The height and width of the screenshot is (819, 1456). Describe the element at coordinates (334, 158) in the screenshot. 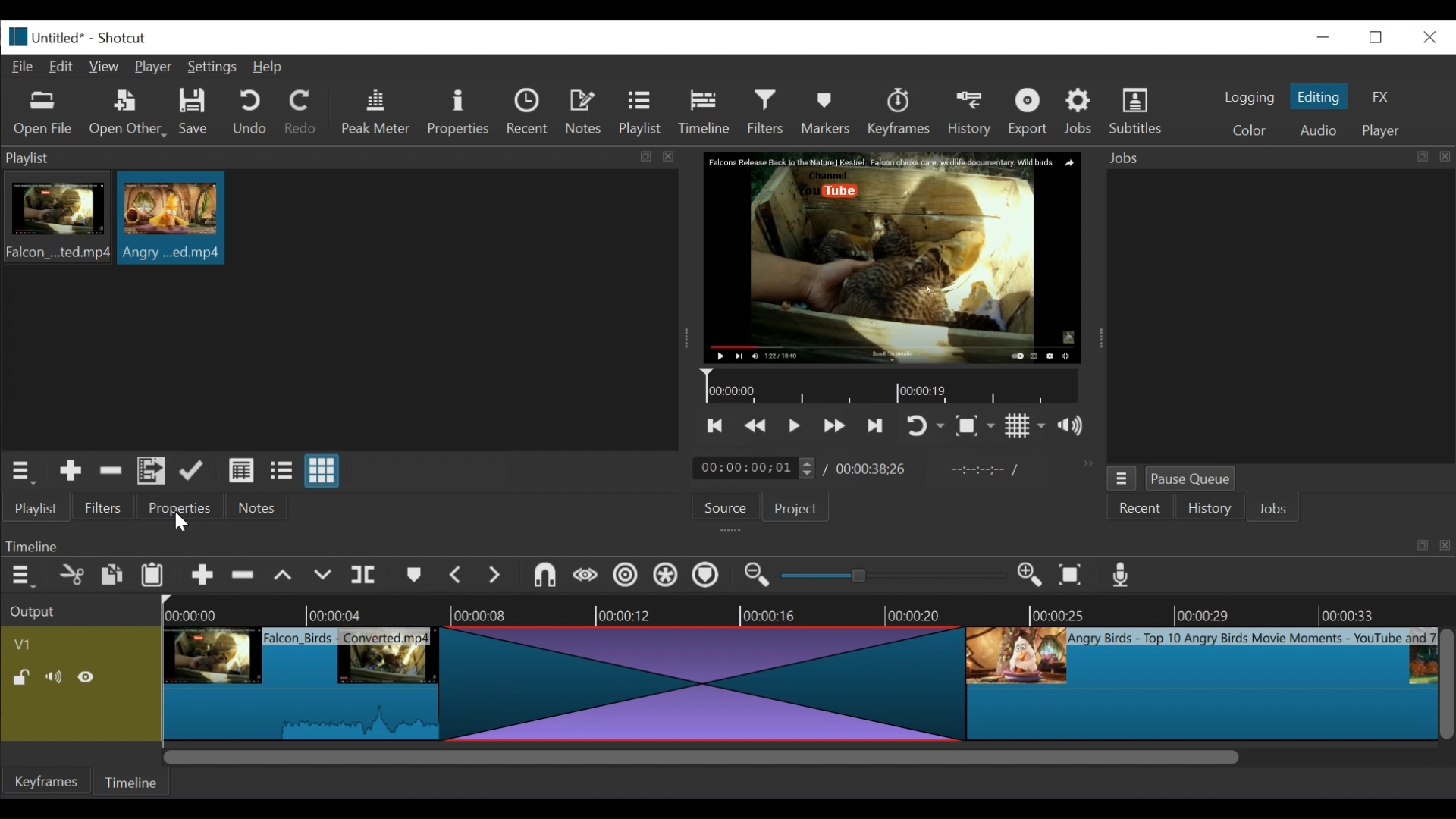

I see `playlist panel` at that location.